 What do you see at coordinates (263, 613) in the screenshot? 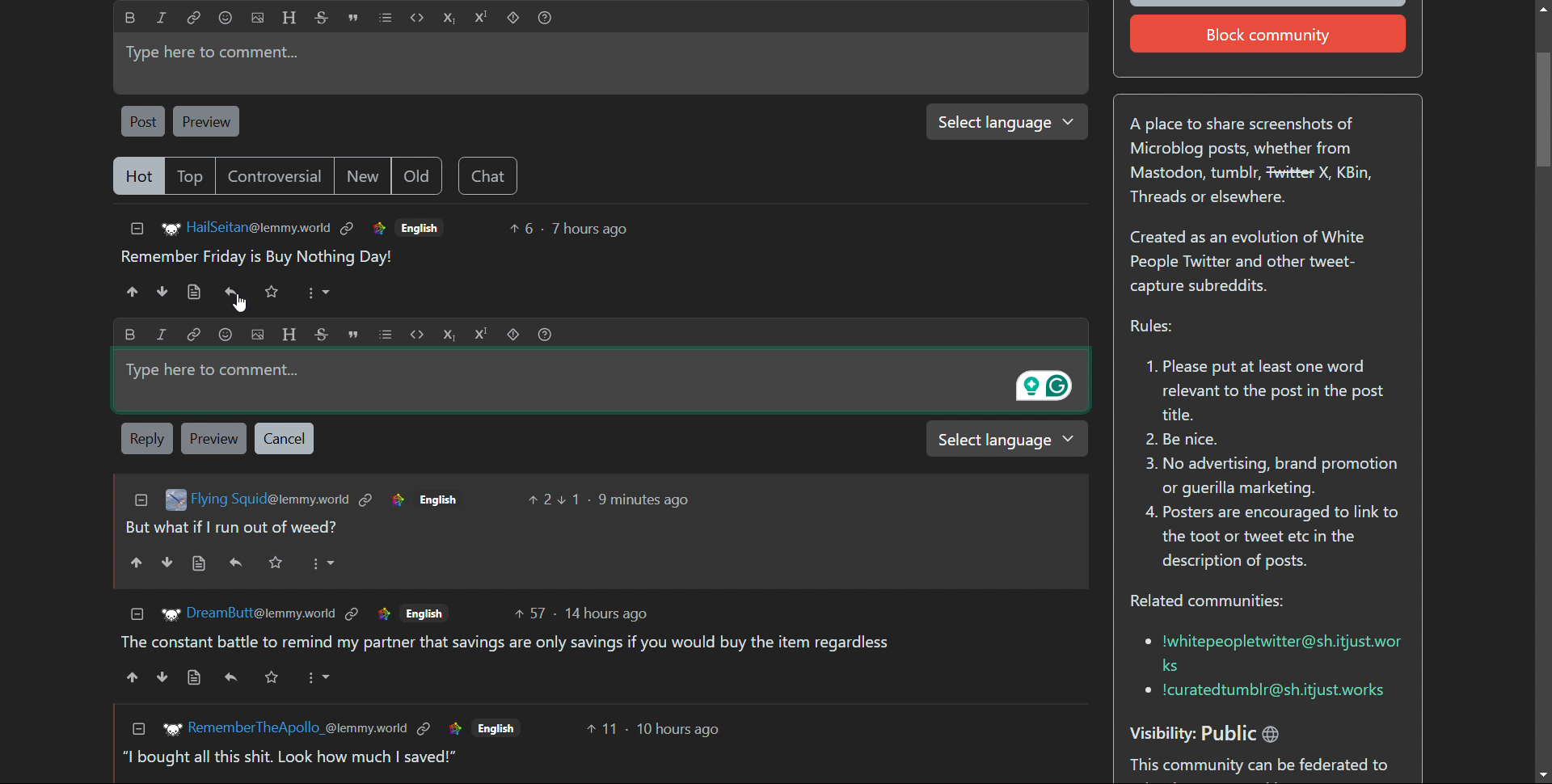
I see `username` at bounding box center [263, 613].